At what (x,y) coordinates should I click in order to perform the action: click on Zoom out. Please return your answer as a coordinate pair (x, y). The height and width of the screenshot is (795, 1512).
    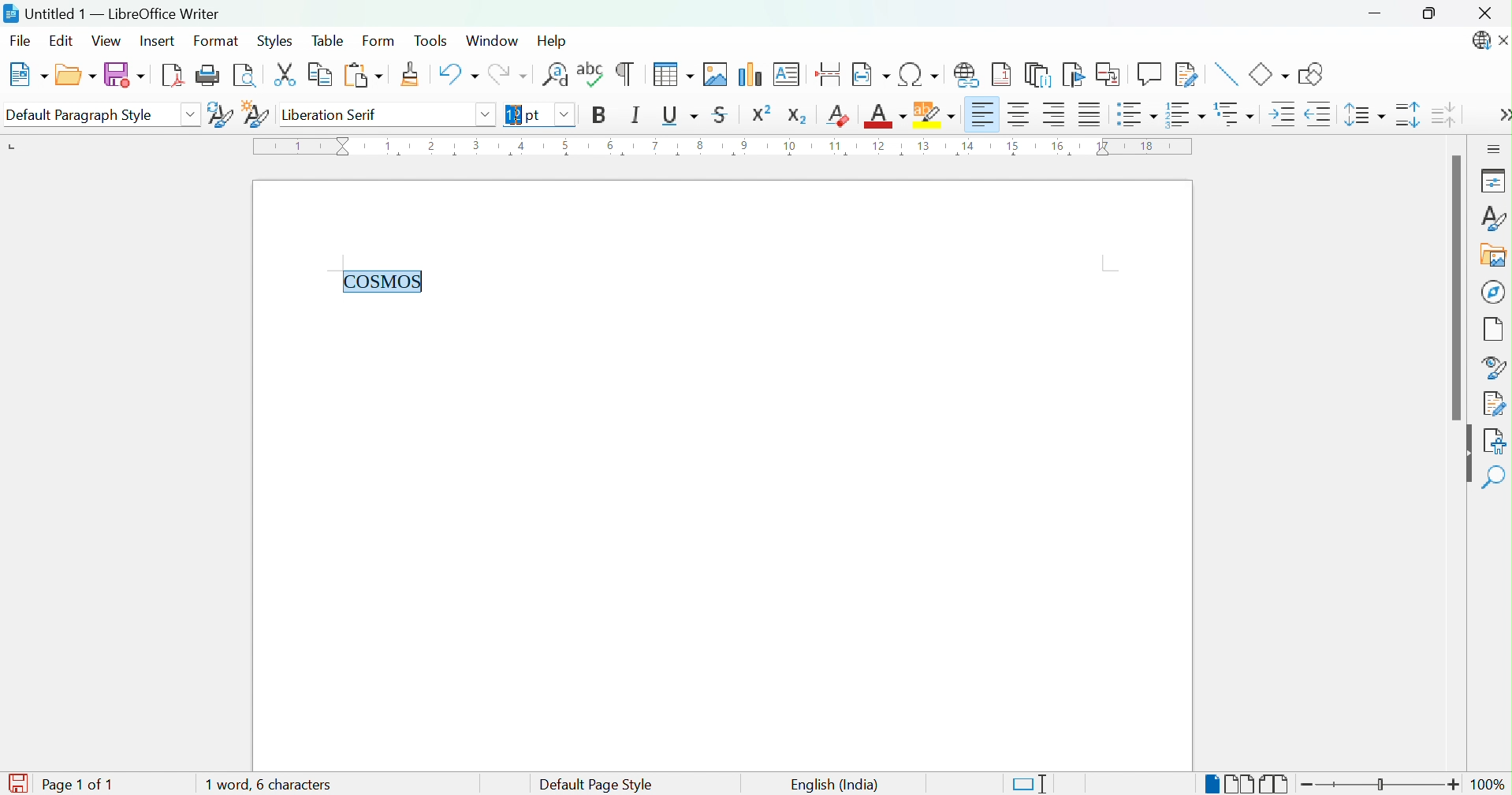
    Looking at the image, I should click on (1313, 787).